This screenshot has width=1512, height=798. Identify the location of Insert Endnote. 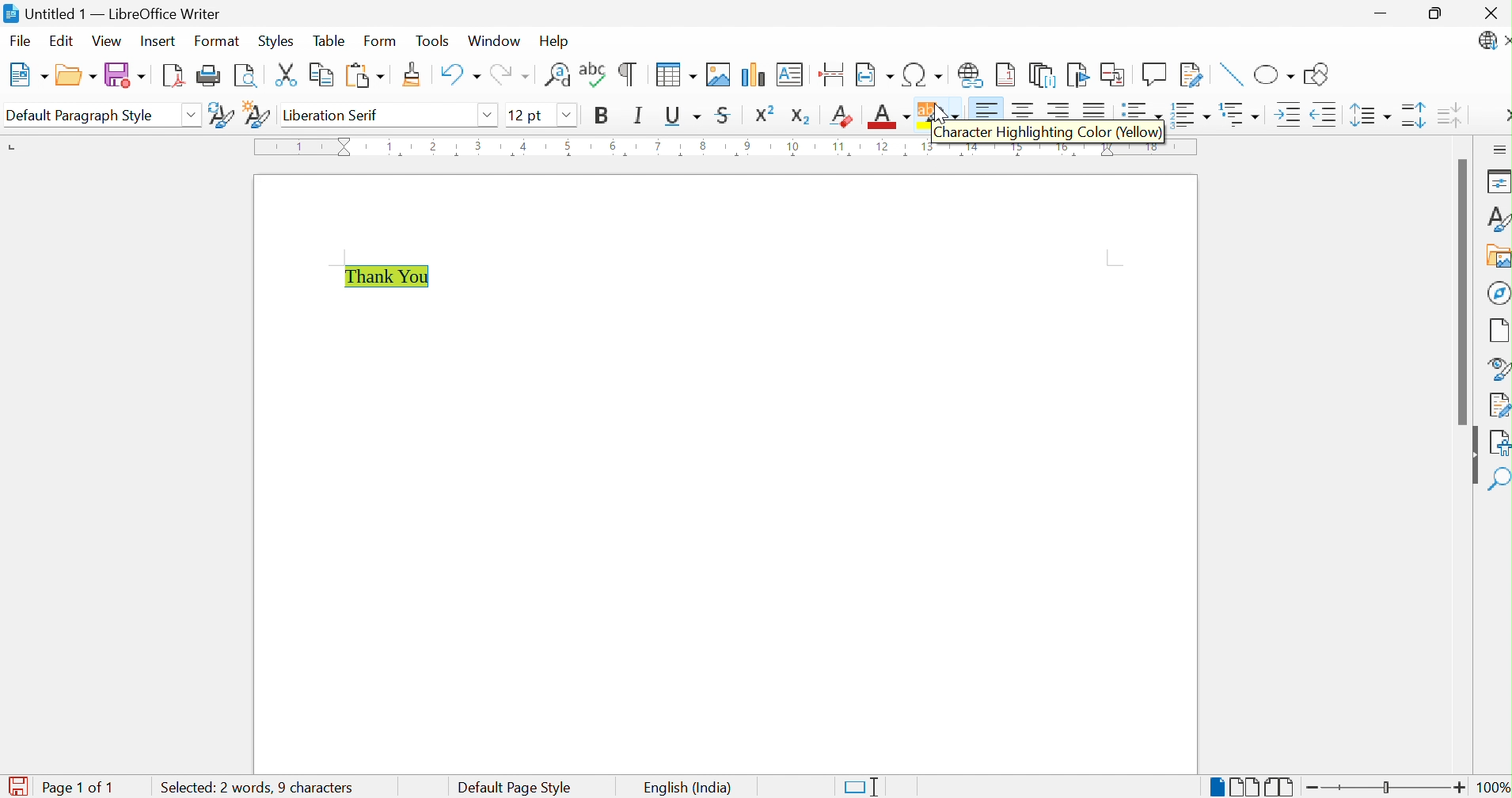
(1042, 77).